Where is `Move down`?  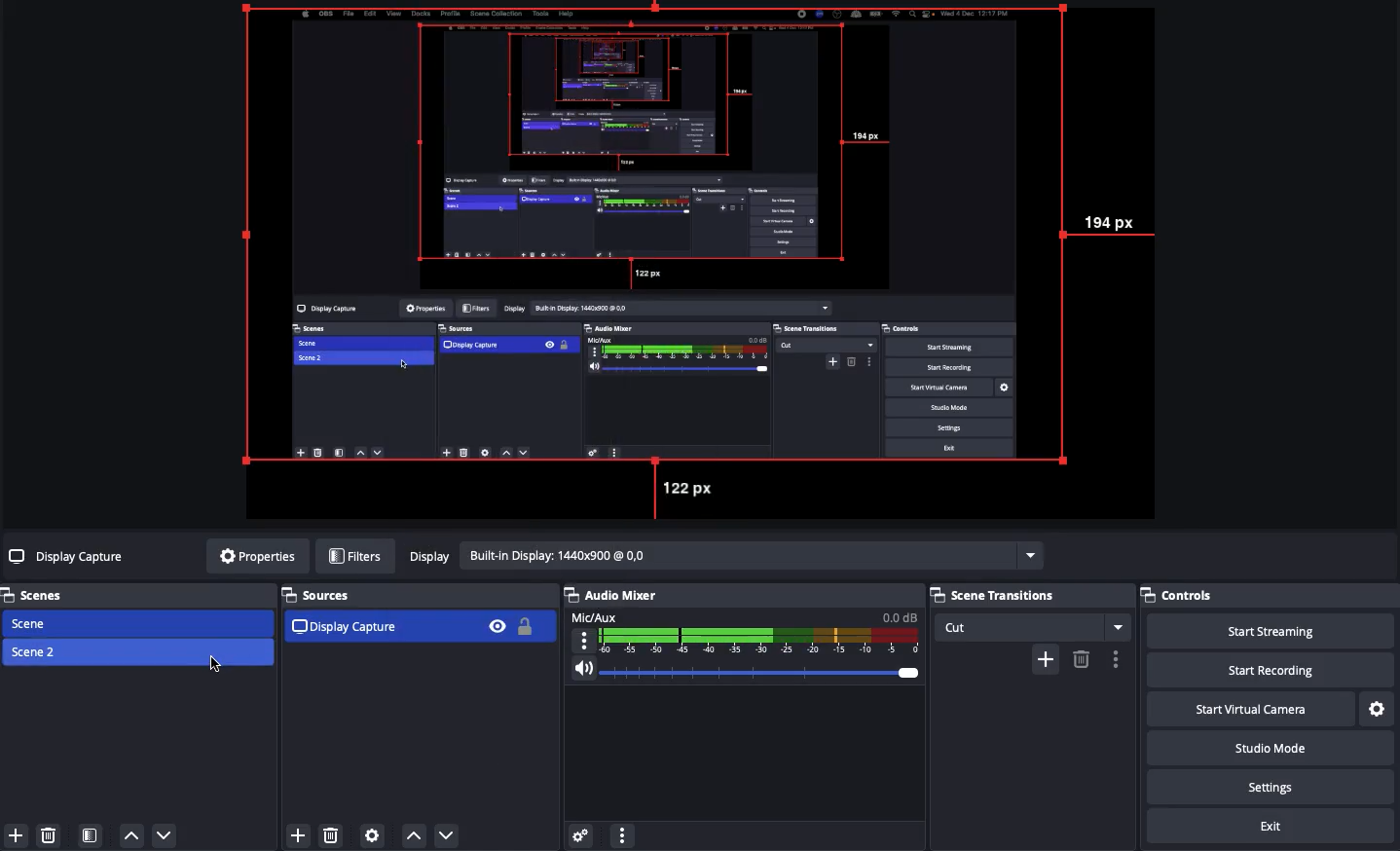
Move down is located at coordinates (166, 836).